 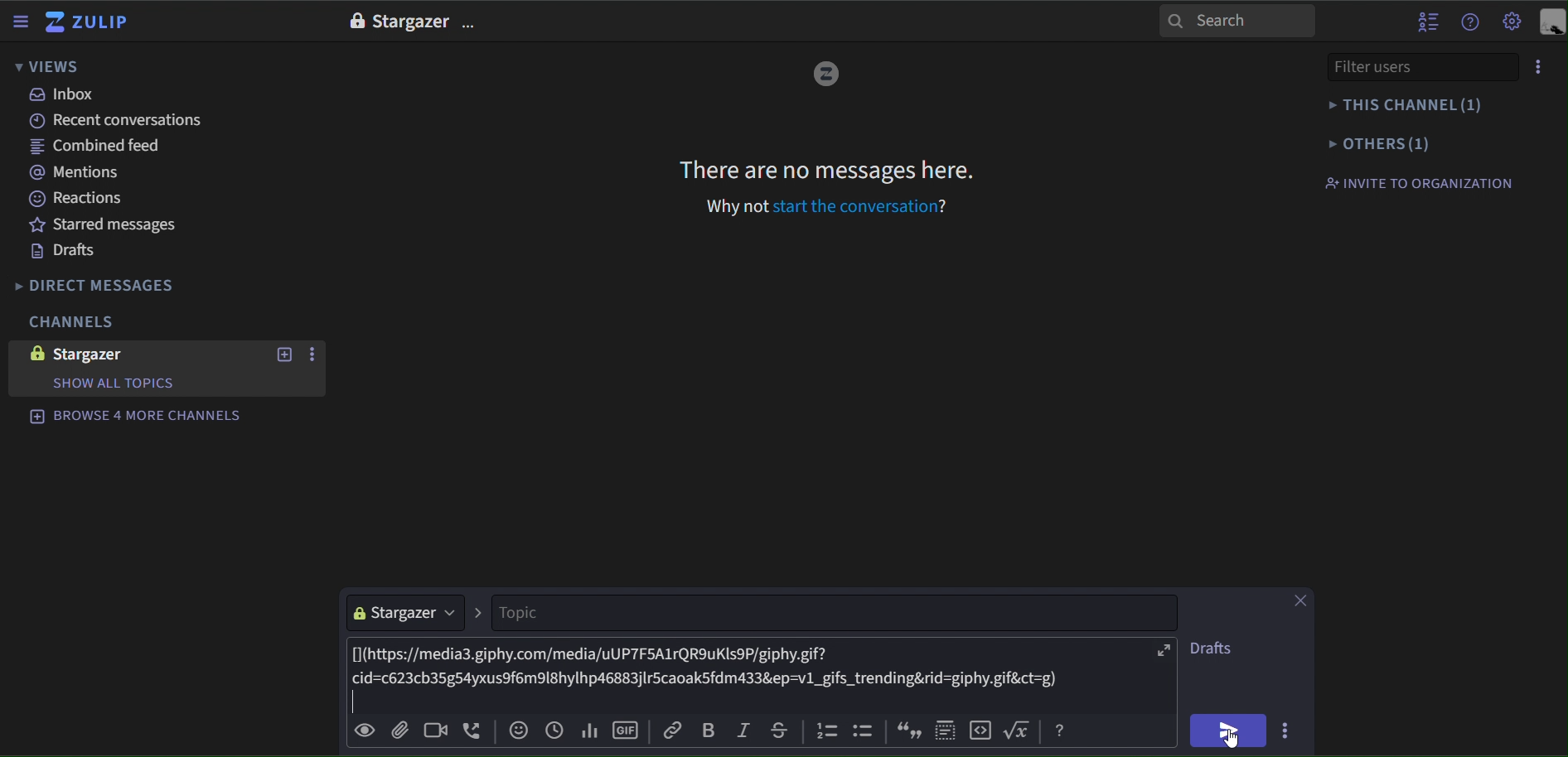 What do you see at coordinates (948, 205) in the screenshot?
I see `question mark` at bounding box center [948, 205].